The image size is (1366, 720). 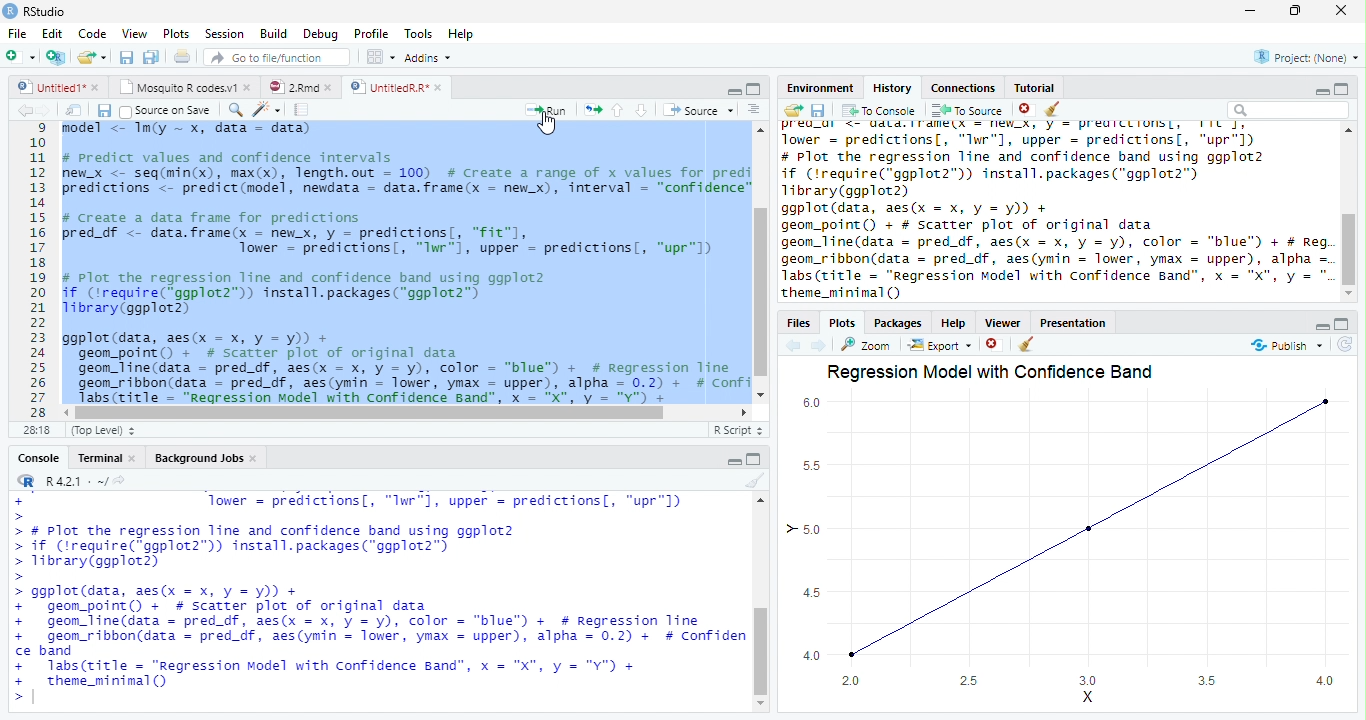 What do you see at coordinates (35, 128) in the screenshot?
I see `1` at bounding box center [35, 128].